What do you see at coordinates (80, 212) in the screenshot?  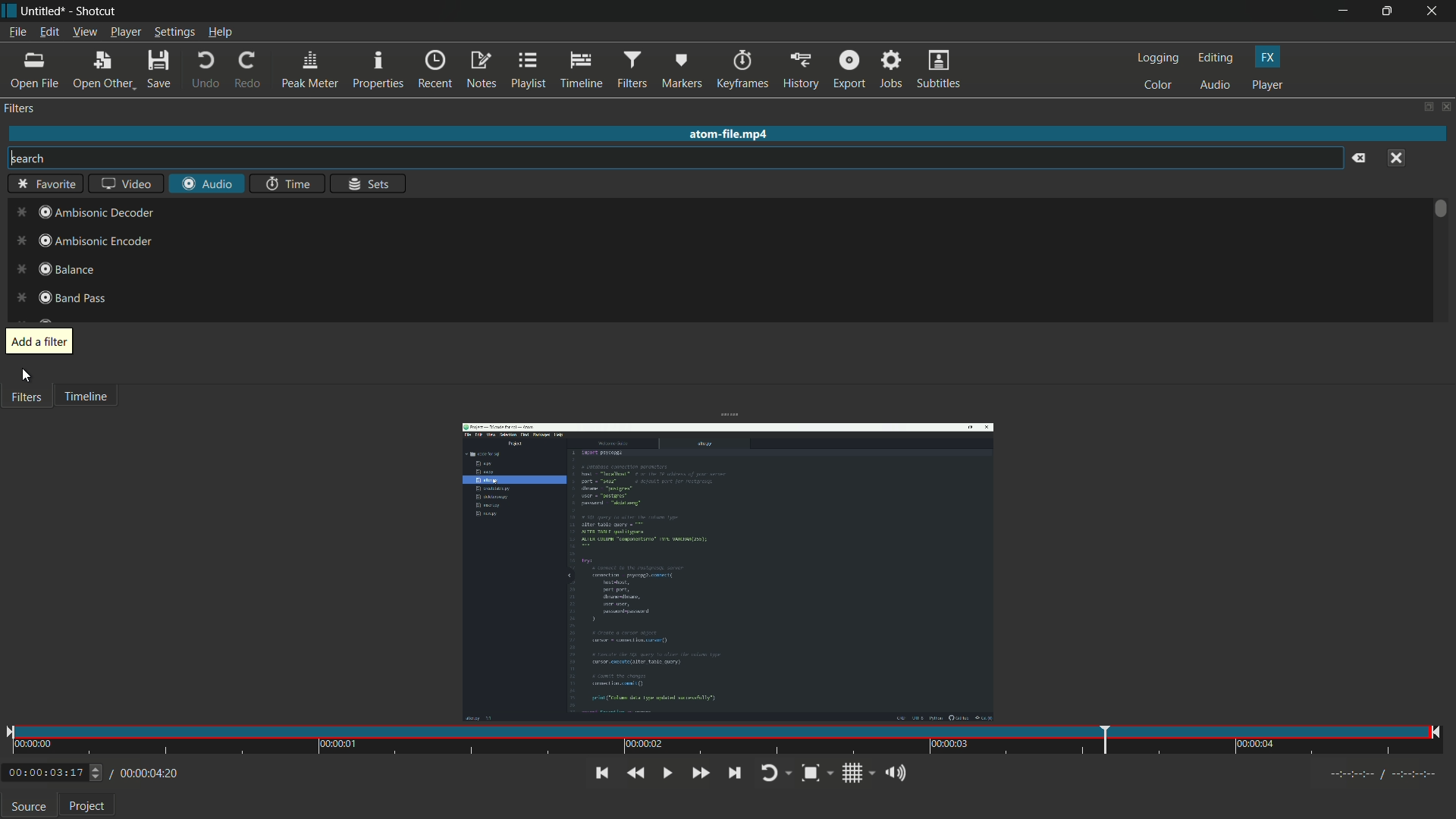 I see `ambisonic decoder` at bounding box center [80, 212].